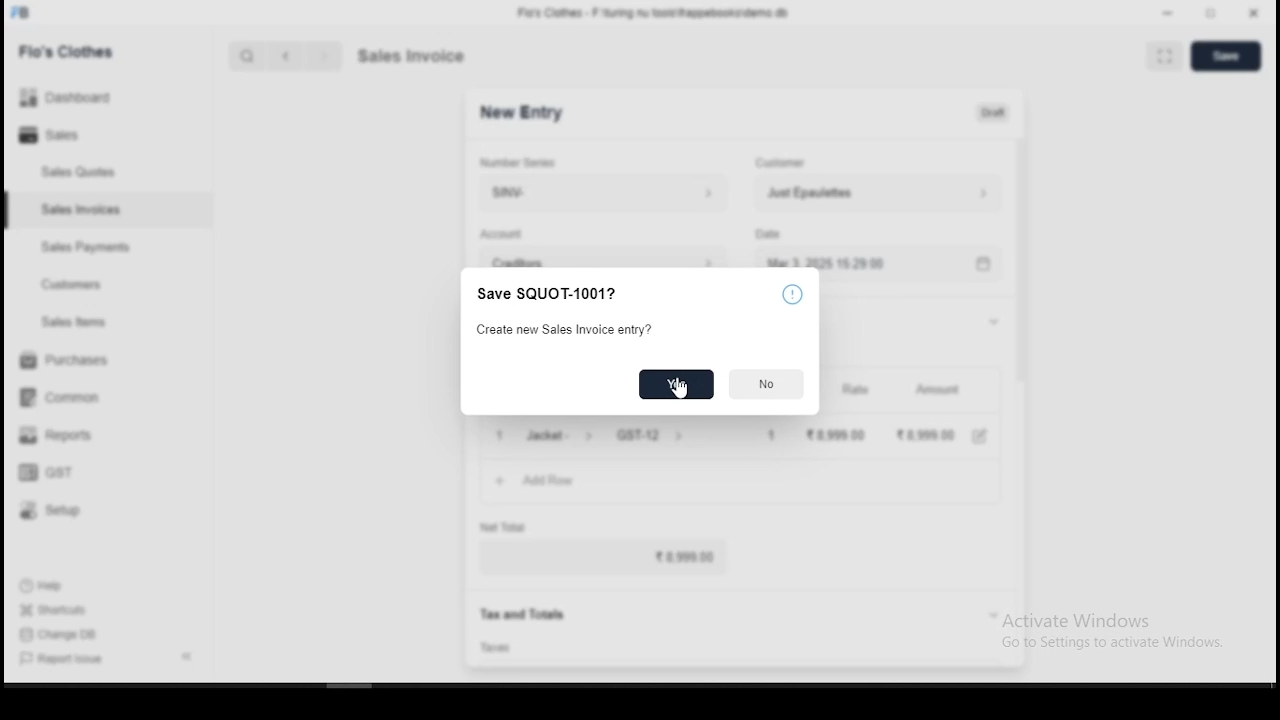  Describe the element at coordinates (63, 474) in the screenshot. I see `GST` at that location.